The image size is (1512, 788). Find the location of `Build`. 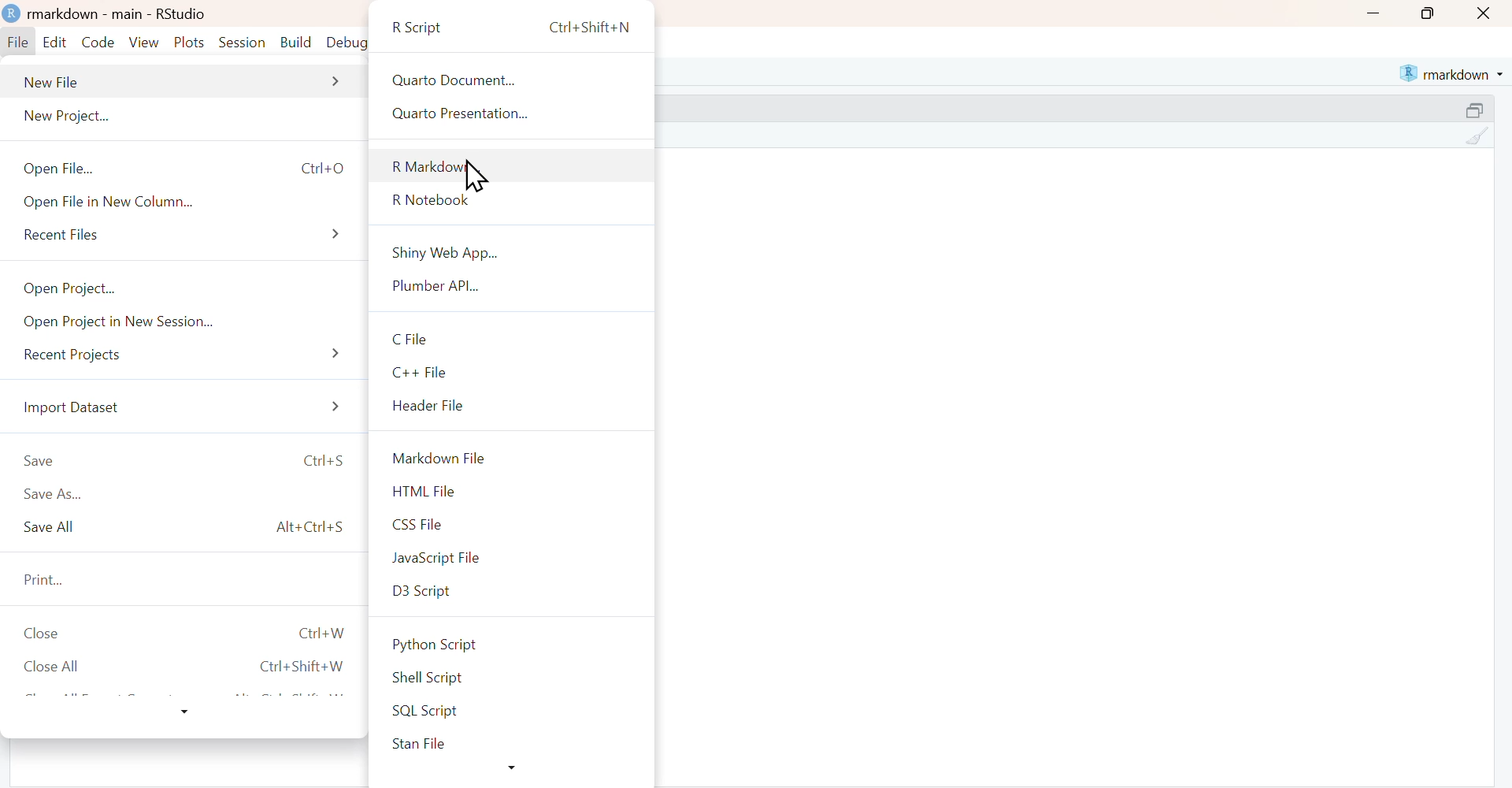

Build is located at coordinates (295, 43).